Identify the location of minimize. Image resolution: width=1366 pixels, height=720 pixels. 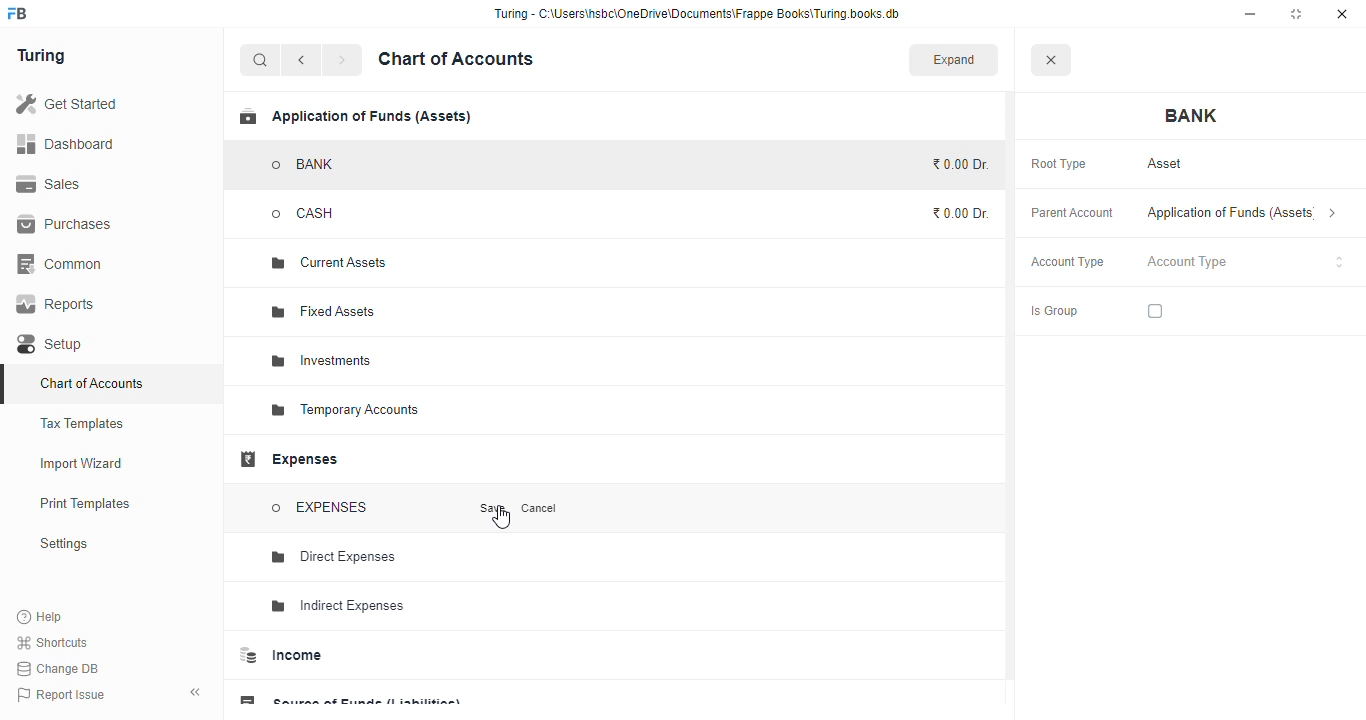
(1250, 14).